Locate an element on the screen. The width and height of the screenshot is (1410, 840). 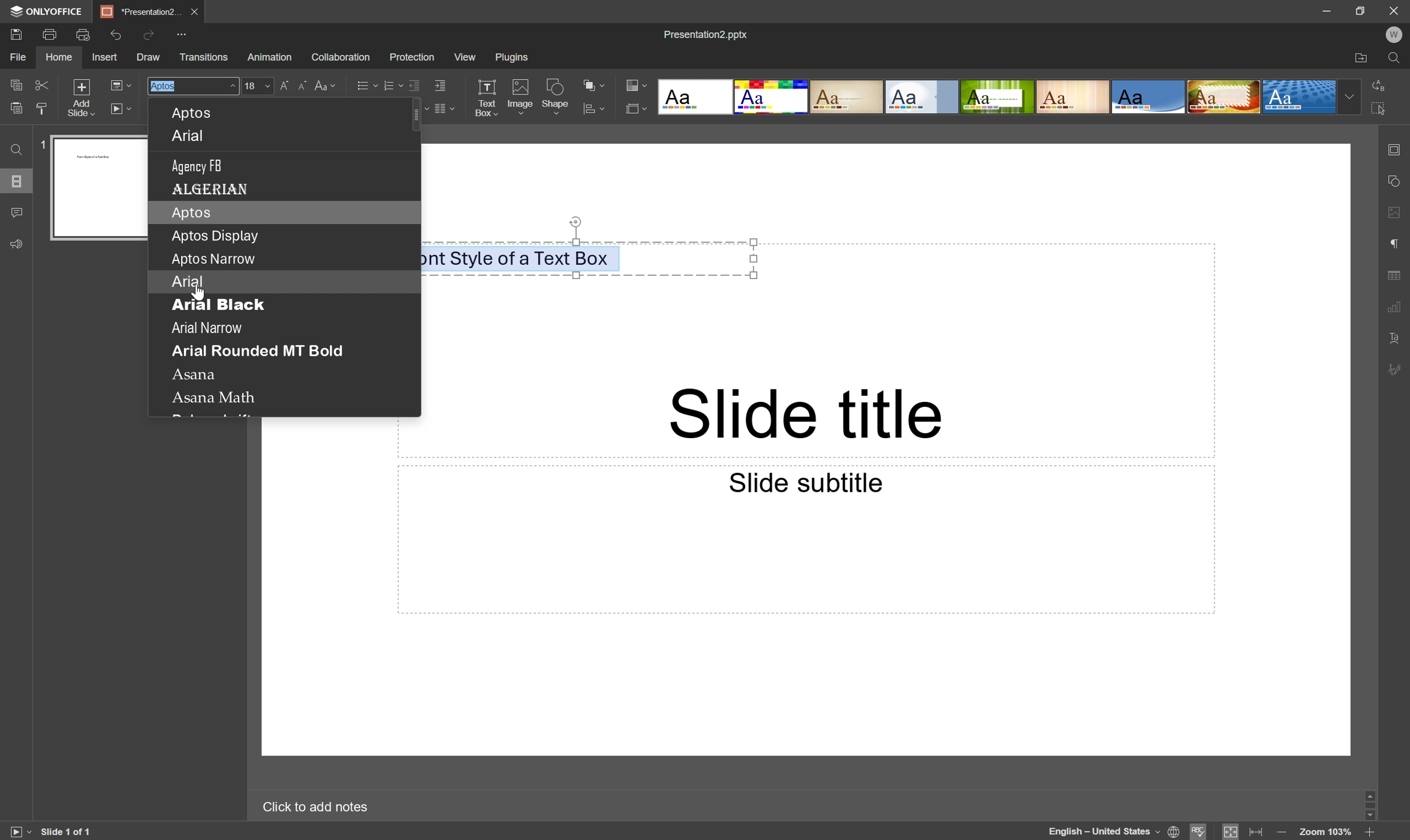
Aptos Narrow is located at coordinates (213, 258).